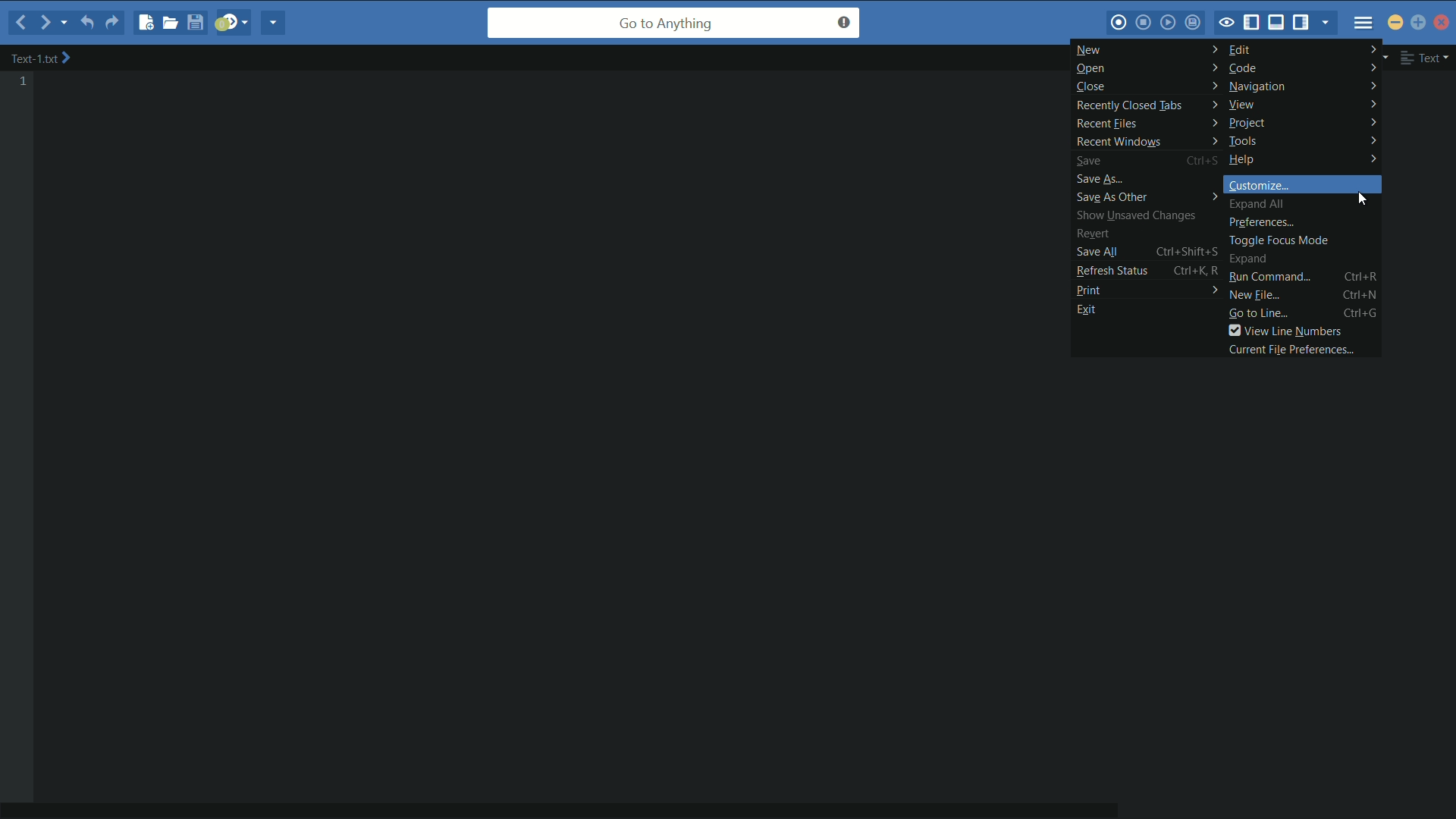 This screenshot has height=819, width=1456. I want to click on help, so click(1305, 159).